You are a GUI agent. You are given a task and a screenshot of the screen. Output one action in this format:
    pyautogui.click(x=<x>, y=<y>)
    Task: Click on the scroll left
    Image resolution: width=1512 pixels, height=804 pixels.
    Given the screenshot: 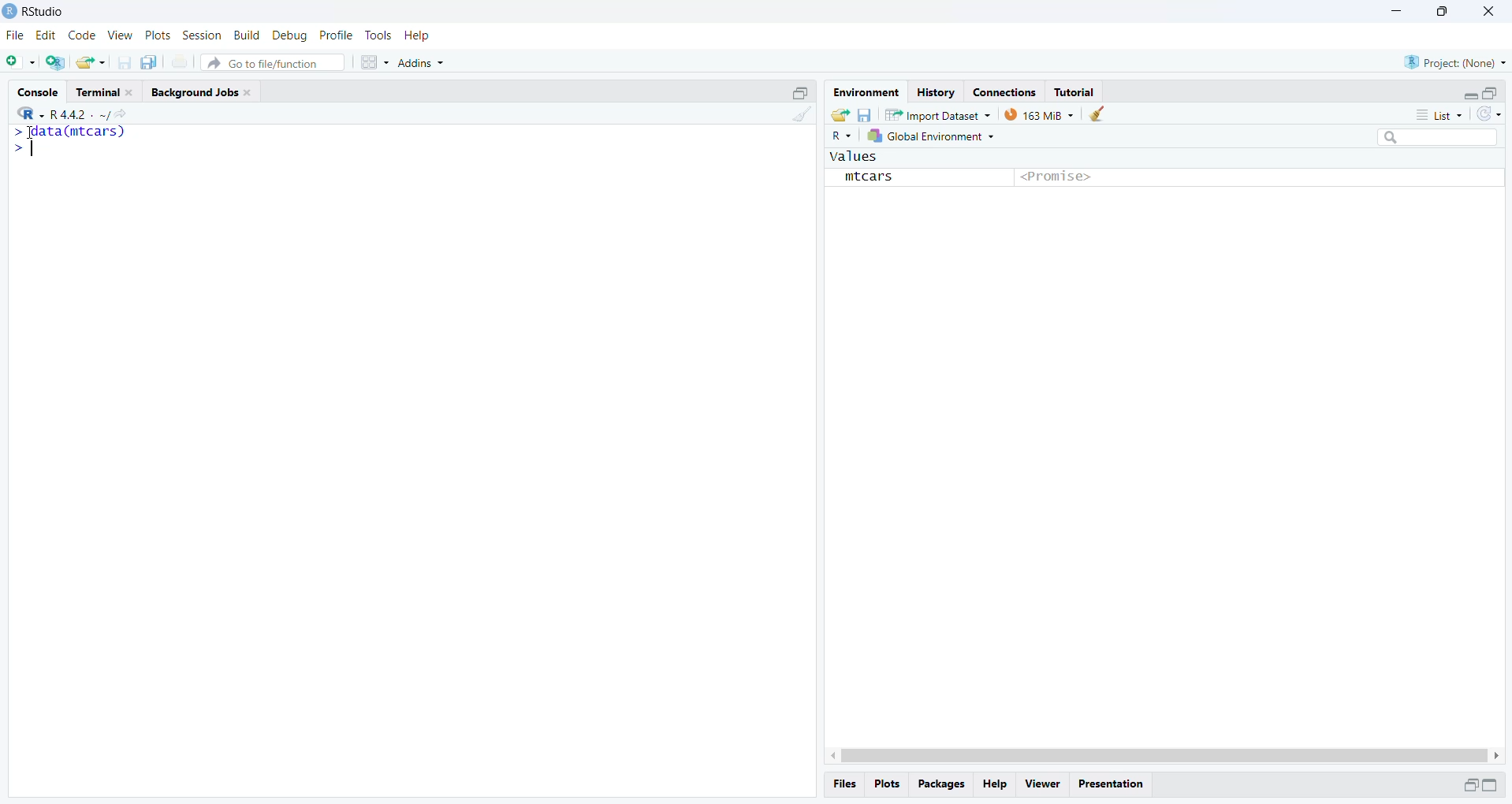 What is the action you would take?
    pyautogui.click(x=831, y=757)
    